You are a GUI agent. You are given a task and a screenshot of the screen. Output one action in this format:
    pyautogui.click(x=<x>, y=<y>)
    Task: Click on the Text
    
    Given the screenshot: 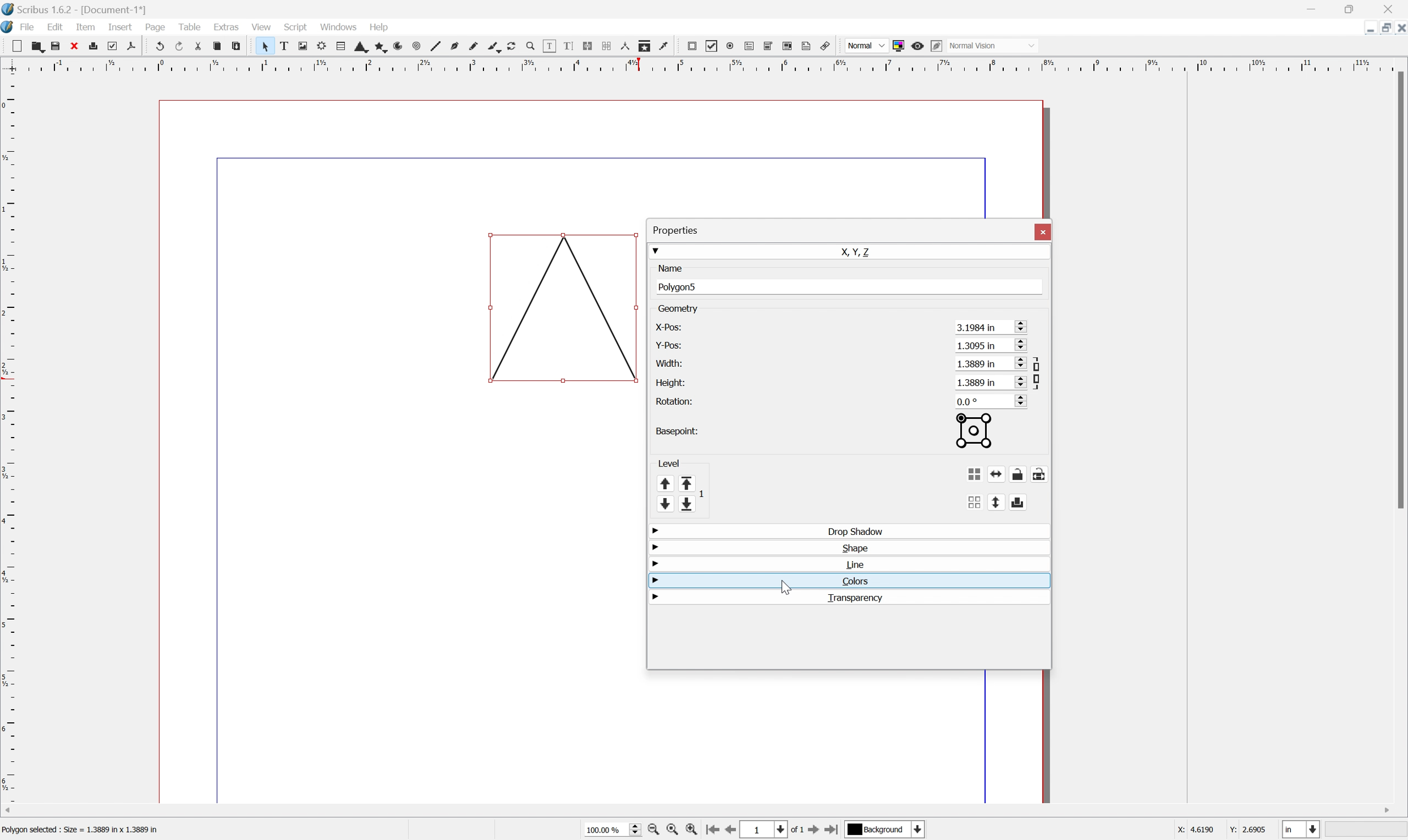 What is the action you would take?
    pyautogui.click(x=86, y=830)
    